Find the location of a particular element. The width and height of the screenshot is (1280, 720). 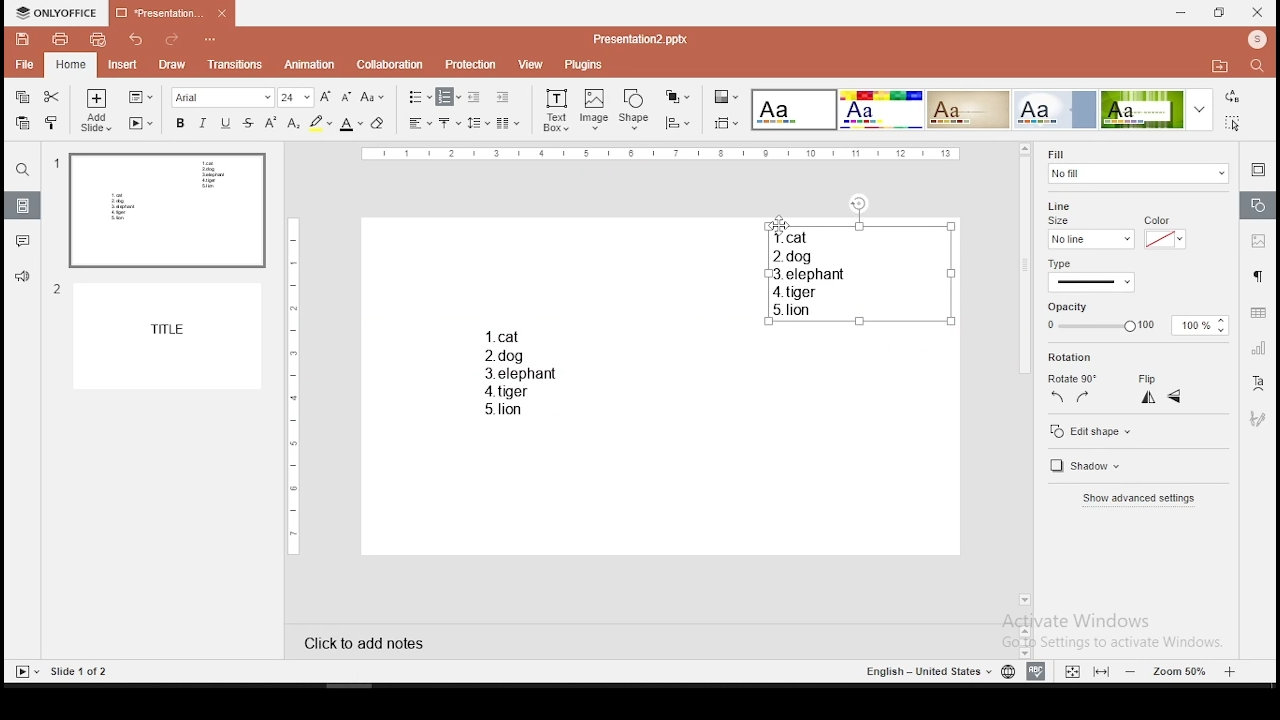

numbers is located at coordinates (55, 233).